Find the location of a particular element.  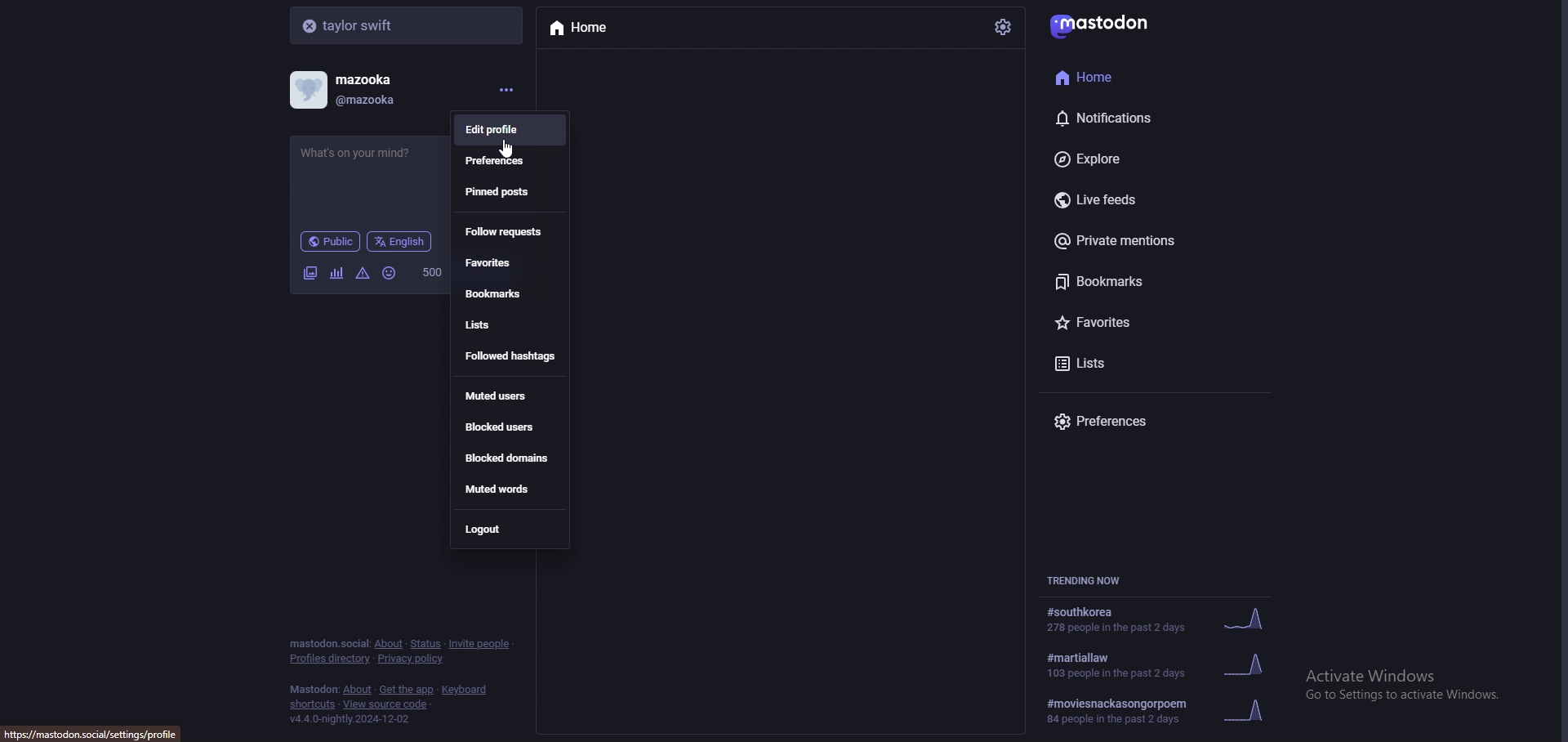

page URL is located at coordinates (96, 734).